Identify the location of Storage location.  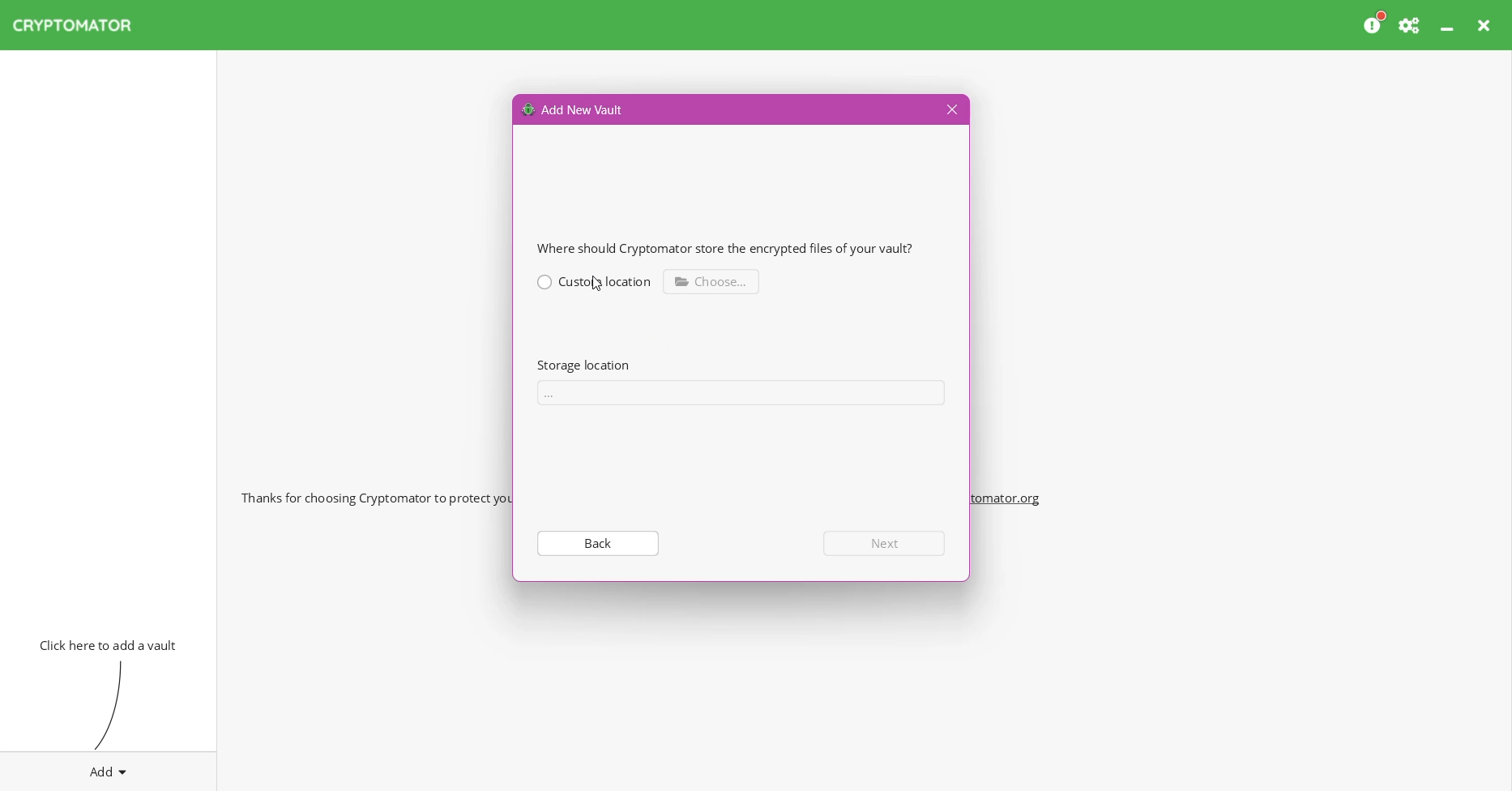
(583, 365).